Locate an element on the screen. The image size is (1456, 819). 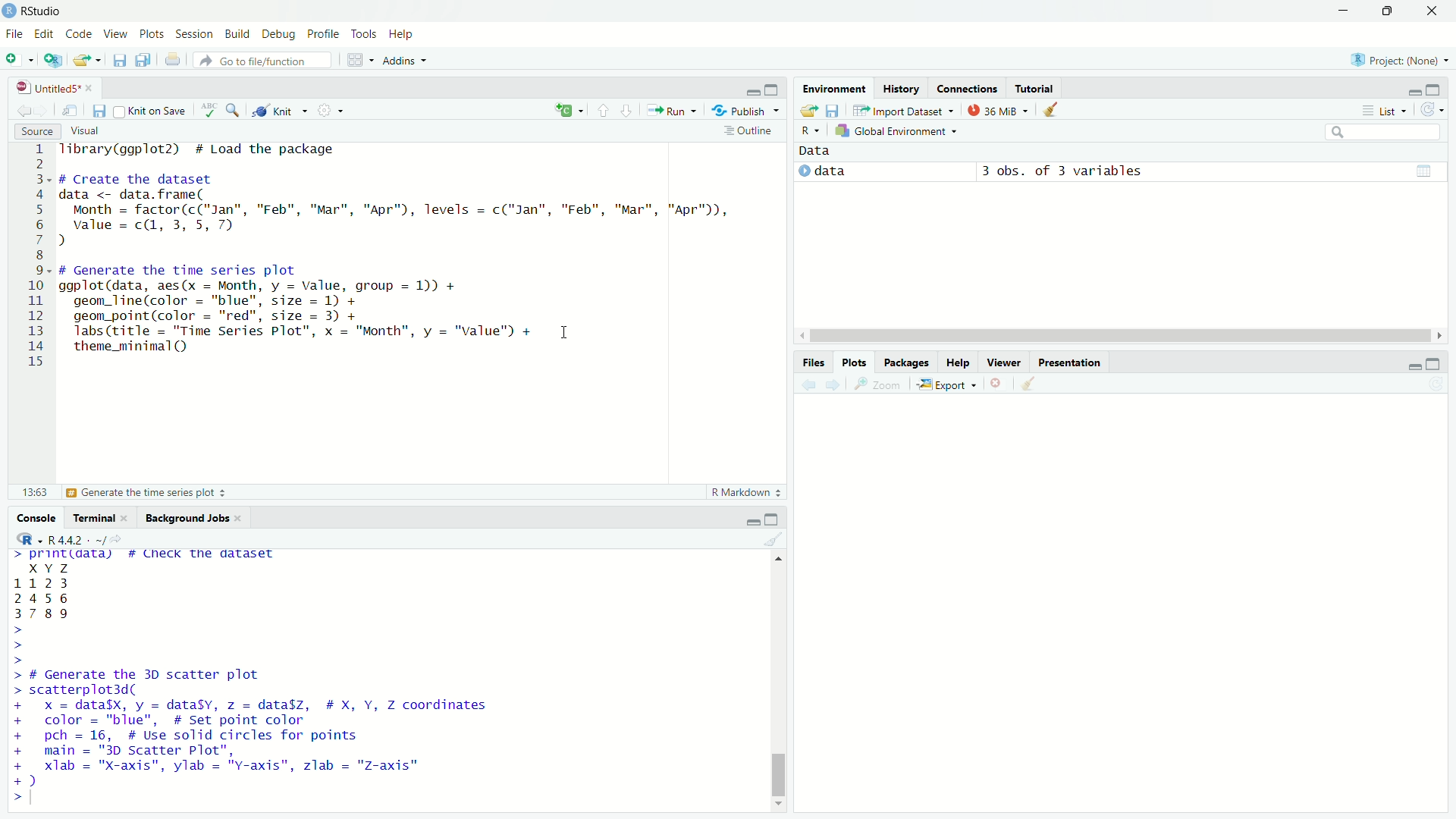
minimize is located at coordinates (753, 91).